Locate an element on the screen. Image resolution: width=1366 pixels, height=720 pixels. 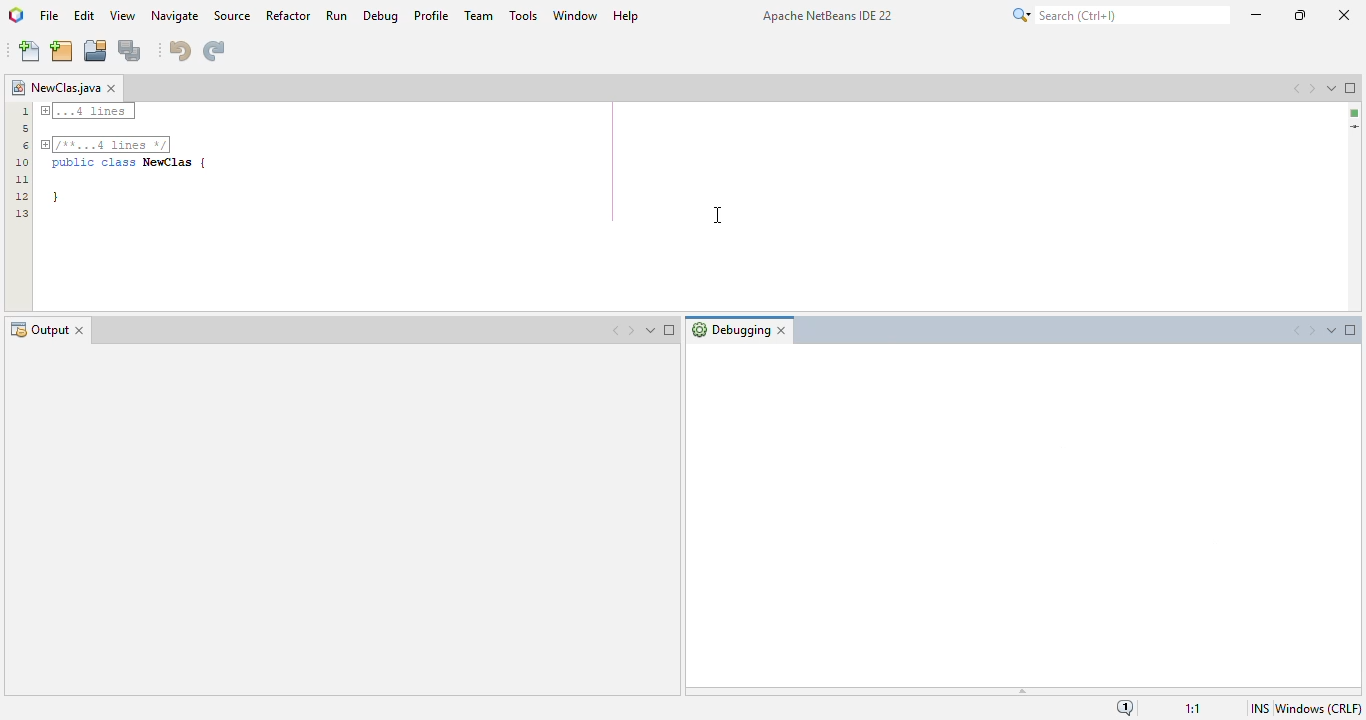
show opened documents list is located at coordinates (1331, 87).